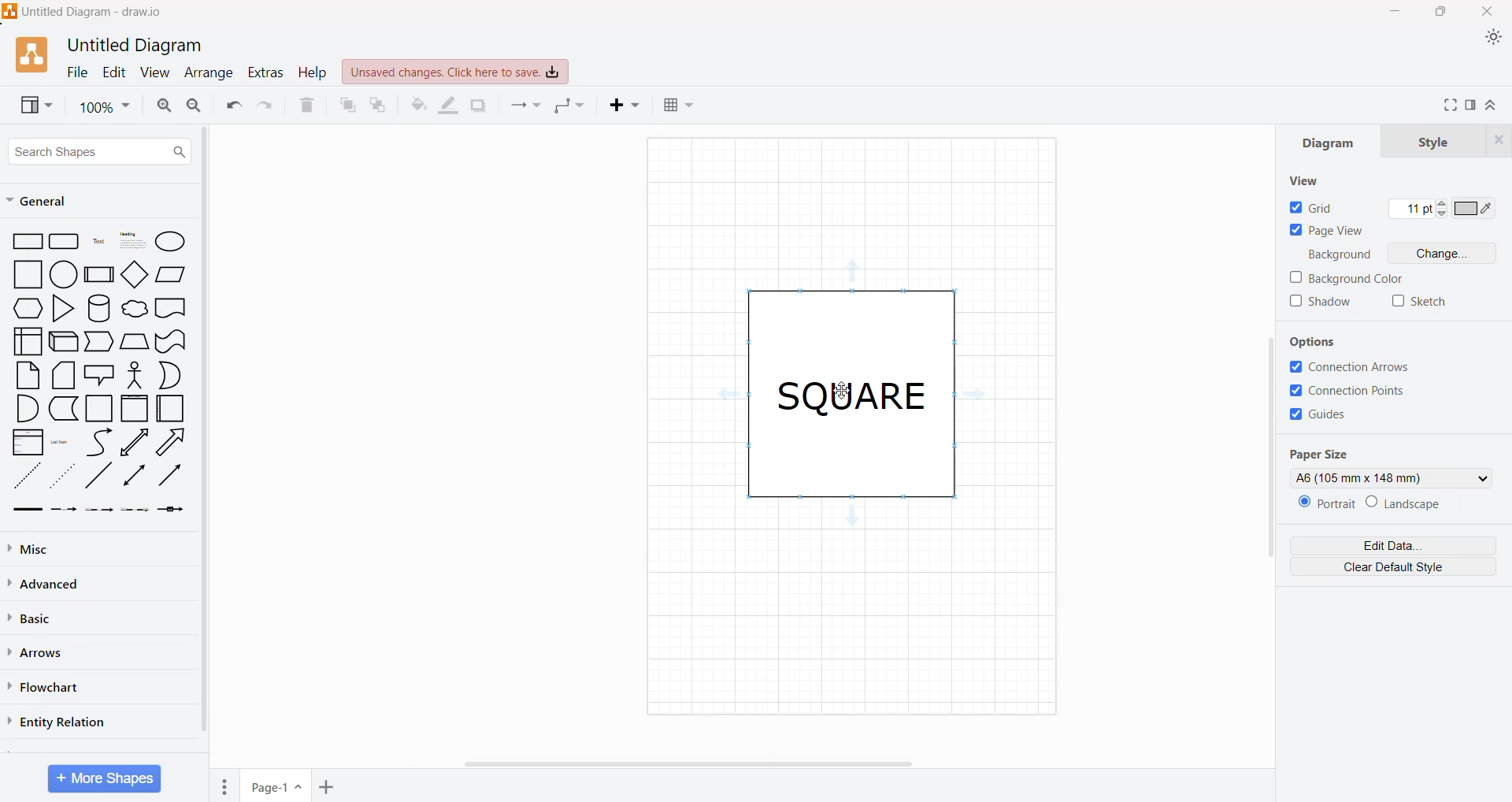 The image size is (1512, 802). I want to click on Extras, so click(265, 72).